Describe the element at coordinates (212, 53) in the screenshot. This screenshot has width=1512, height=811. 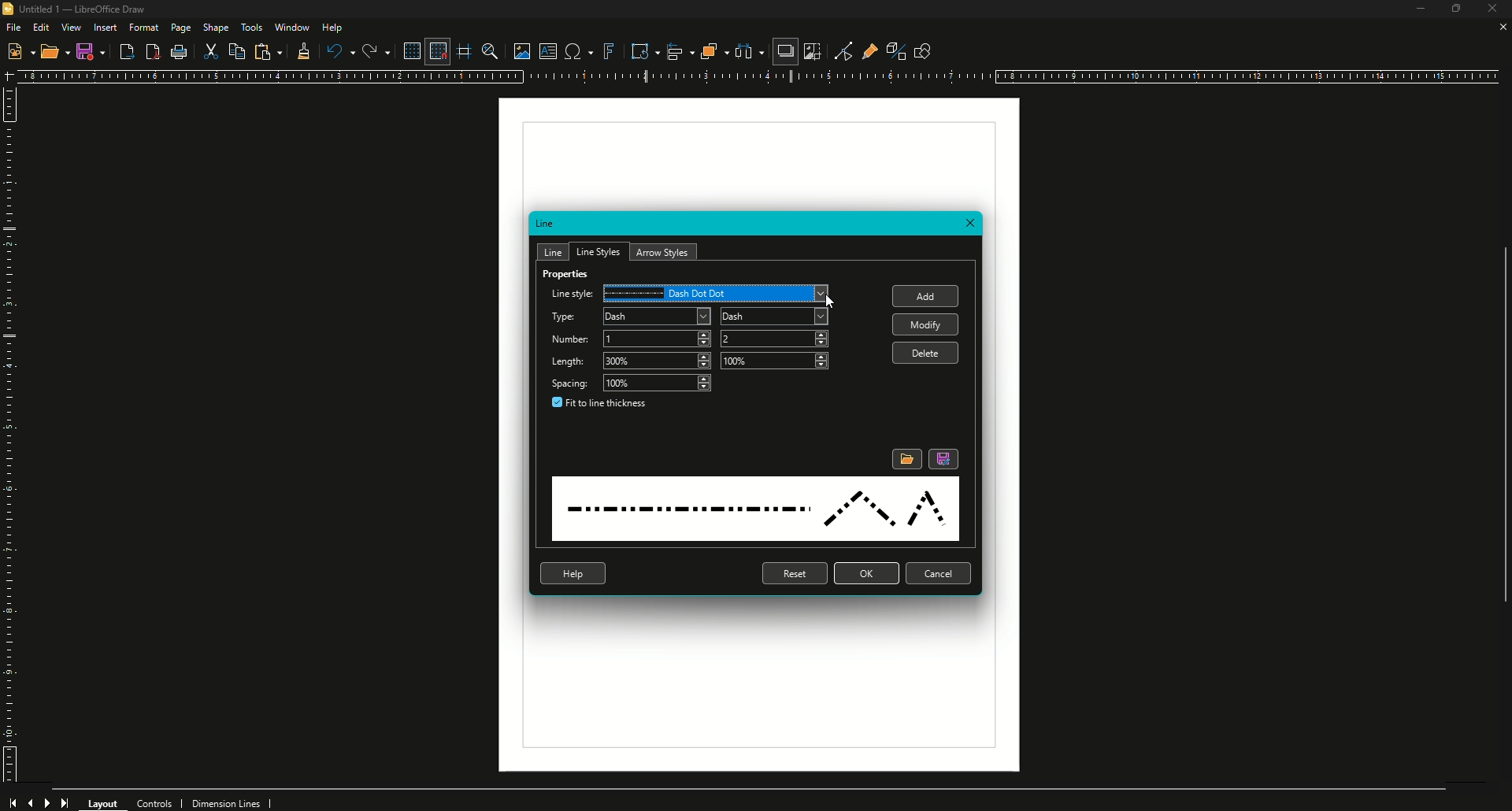
I see `Cut` at that location.